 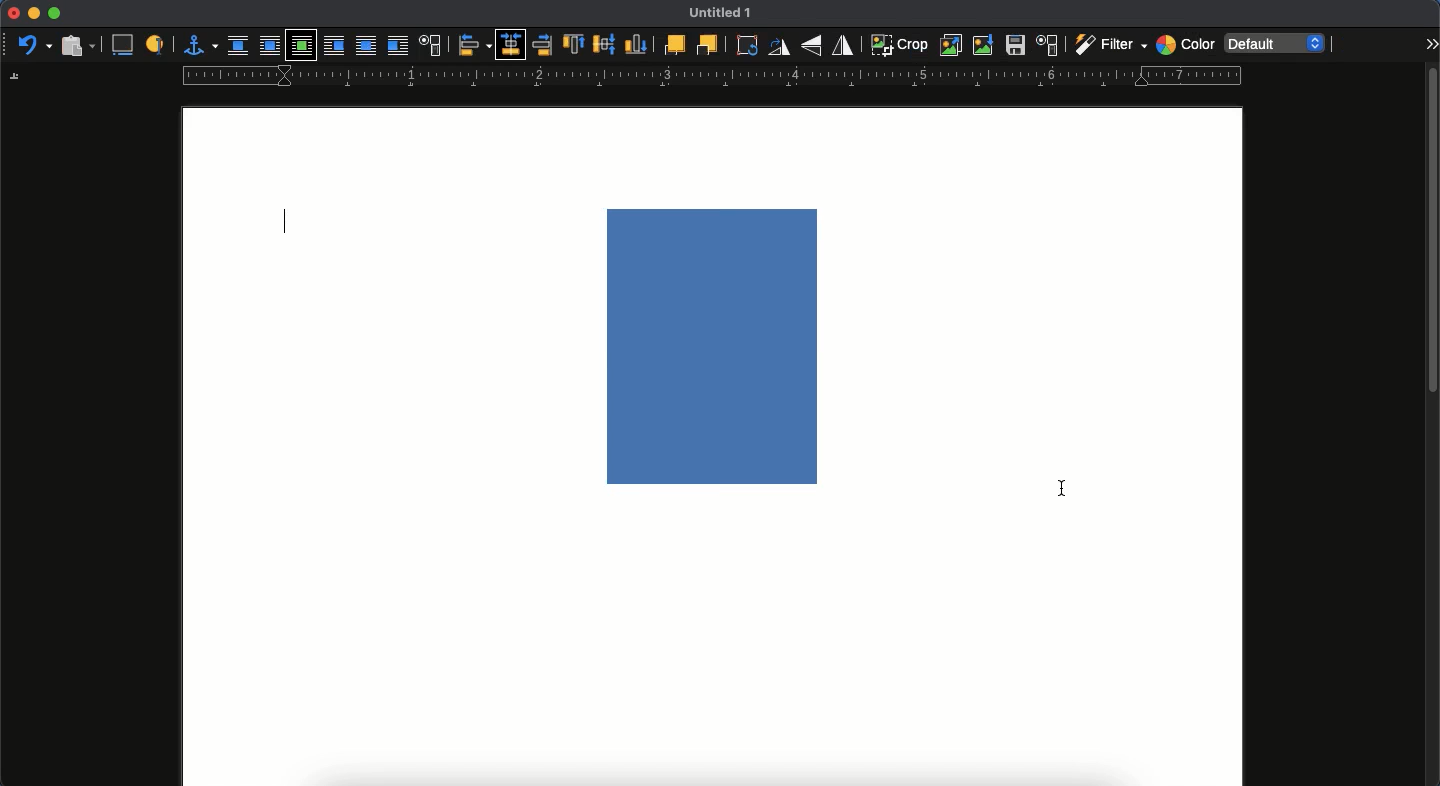 I want to click on color, so click(x=1188, y=44).